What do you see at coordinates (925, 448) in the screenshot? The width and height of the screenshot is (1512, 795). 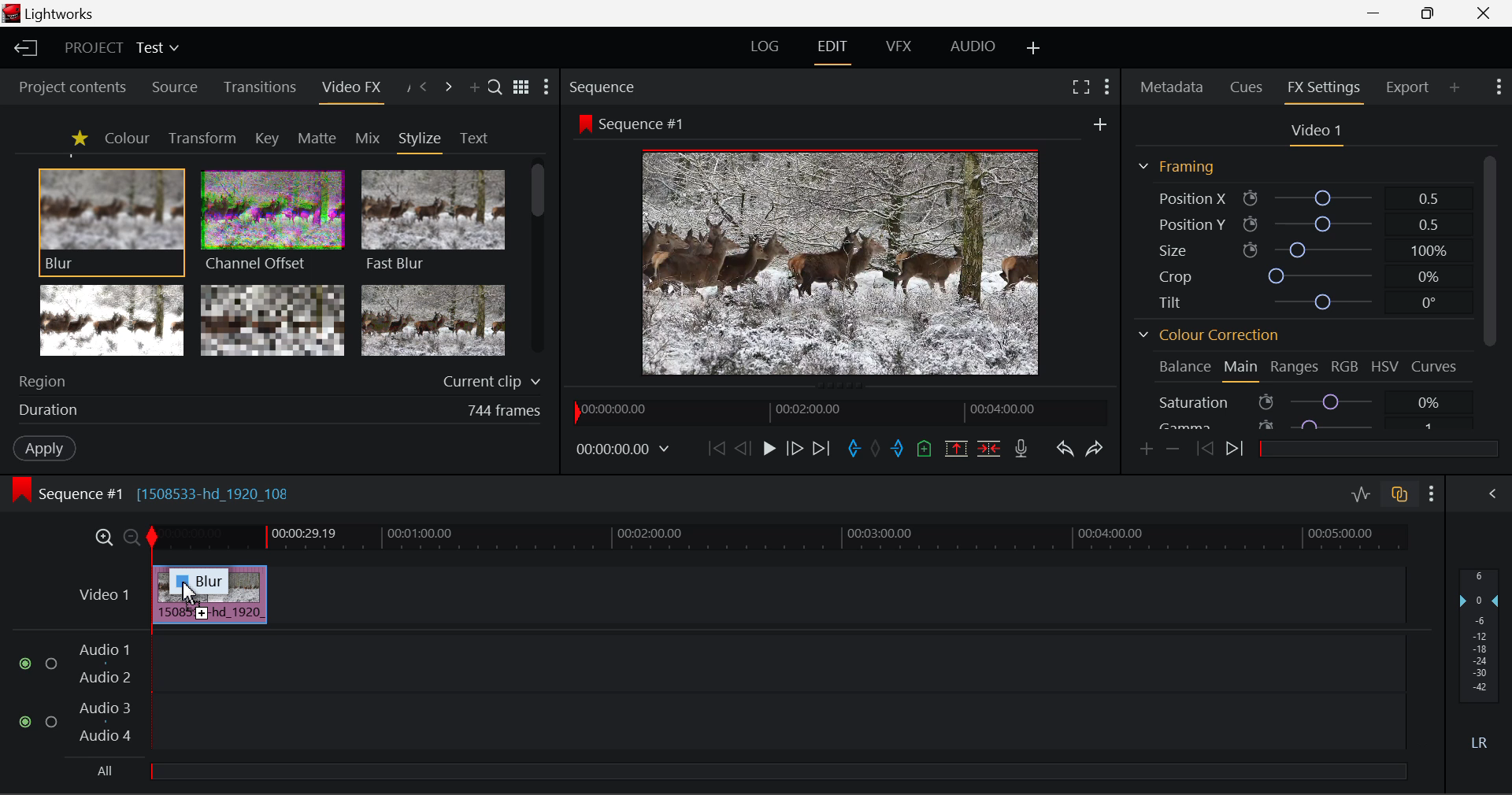 I see `Mark Cue` at bounding box center [925, 448].